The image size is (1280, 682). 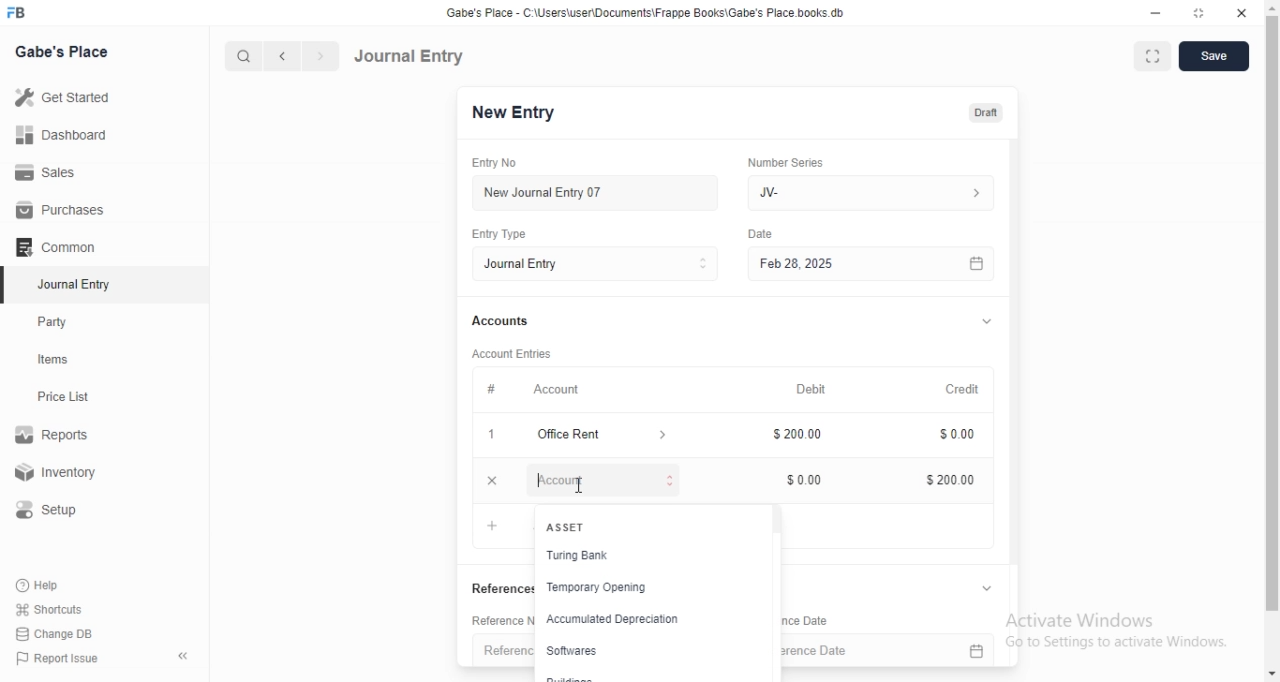 I want to click on forward, so click(x=322, y=56).